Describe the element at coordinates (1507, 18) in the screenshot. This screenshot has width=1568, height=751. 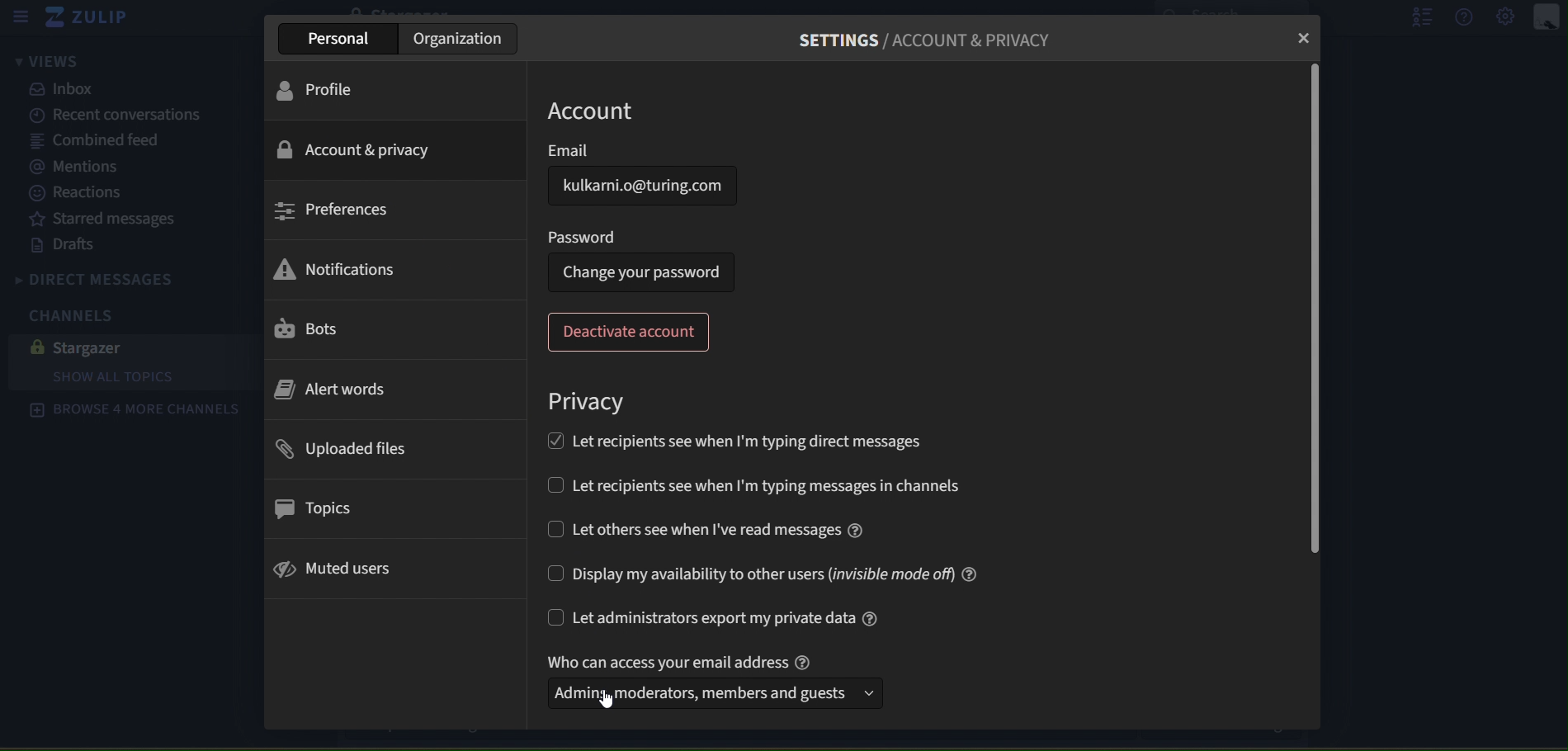
I see `main menu` at that location.